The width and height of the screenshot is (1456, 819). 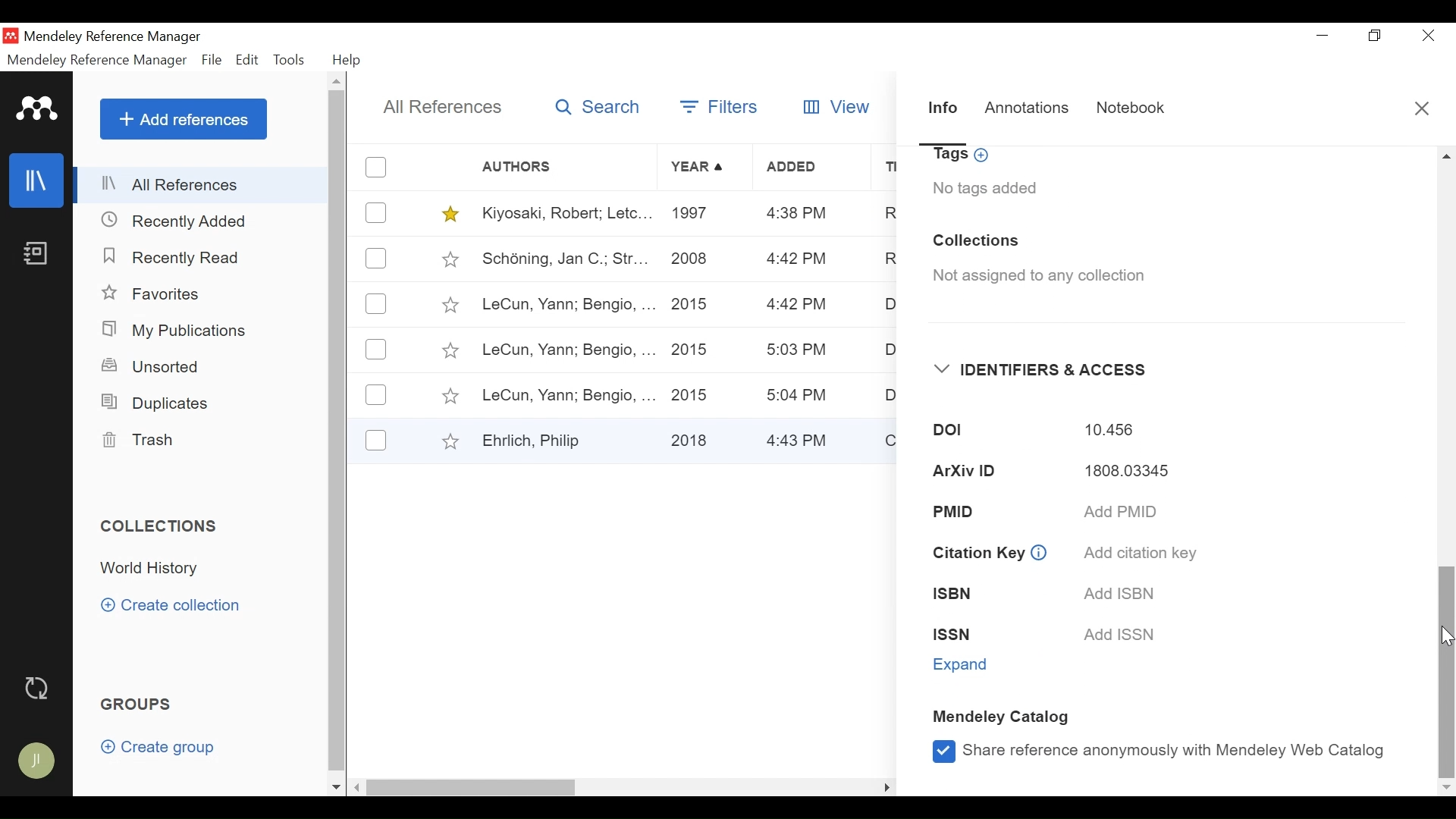 I want to click on (un)select, so click(x=377, y=212).